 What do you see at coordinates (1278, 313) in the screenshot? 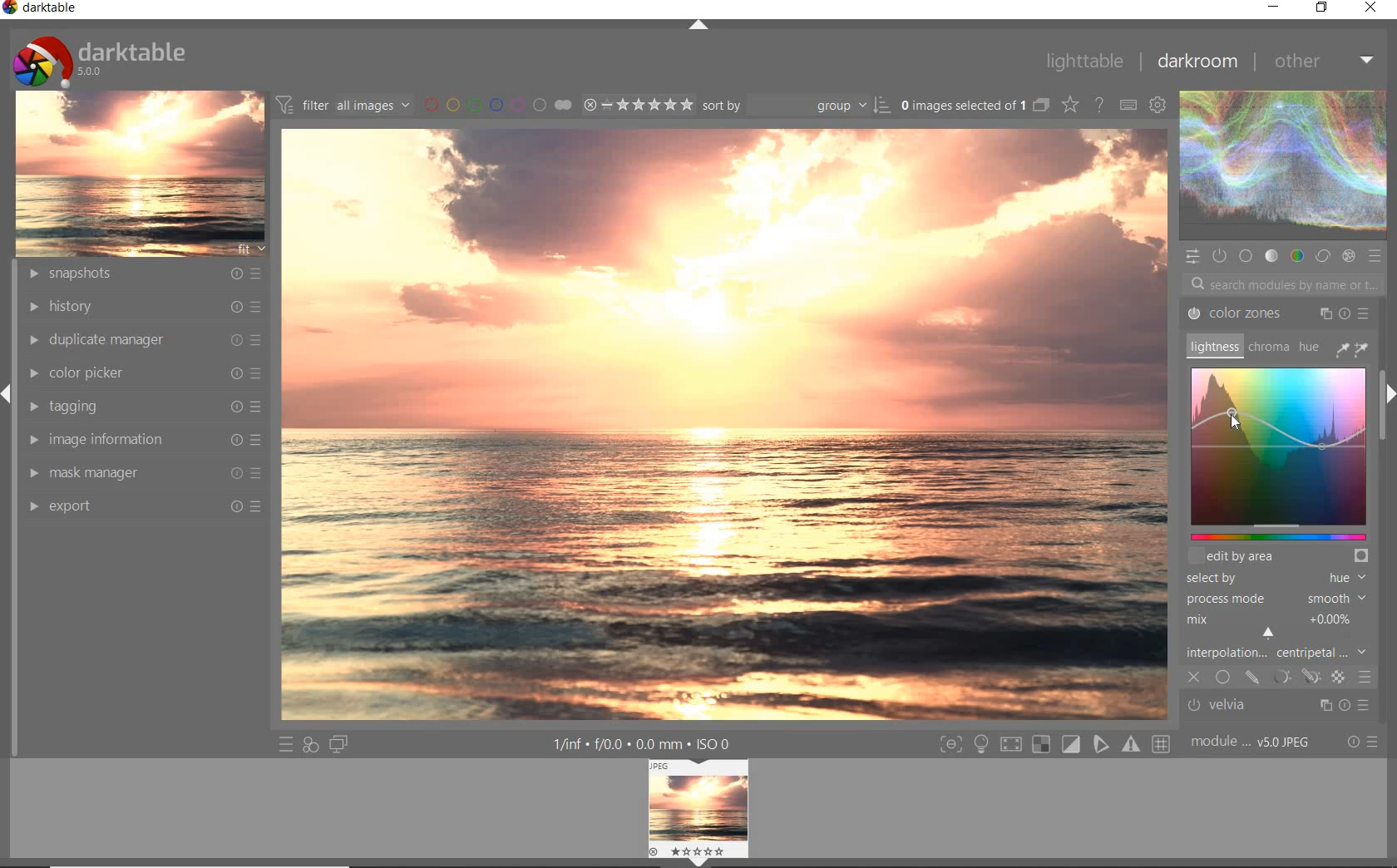
I see `COLOR ZONES` at bounding box center [1278, 313].